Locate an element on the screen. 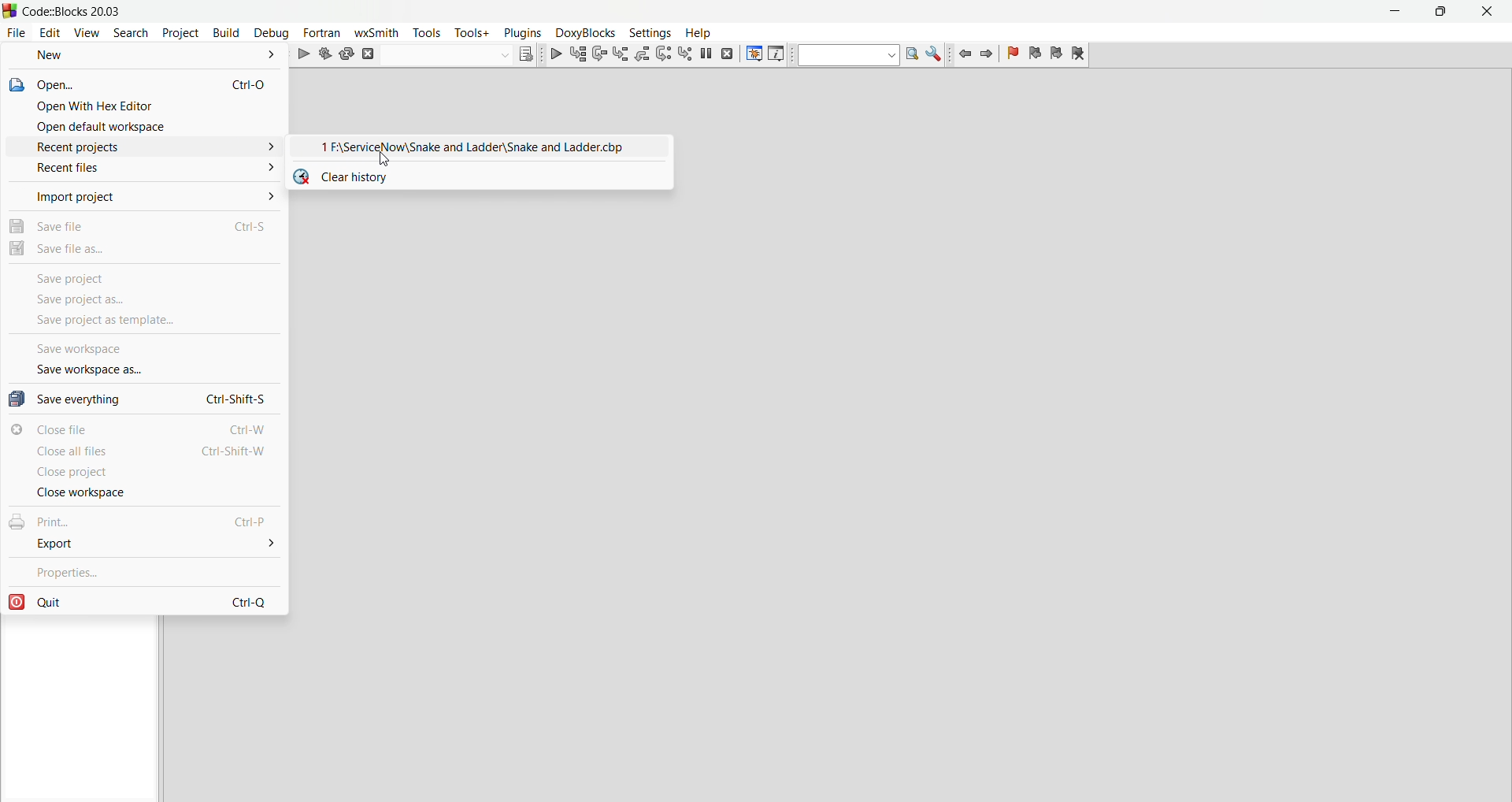 Image resolution: width=1512 pixels, height=802 pixels. run is located at coordinates (306, 56).